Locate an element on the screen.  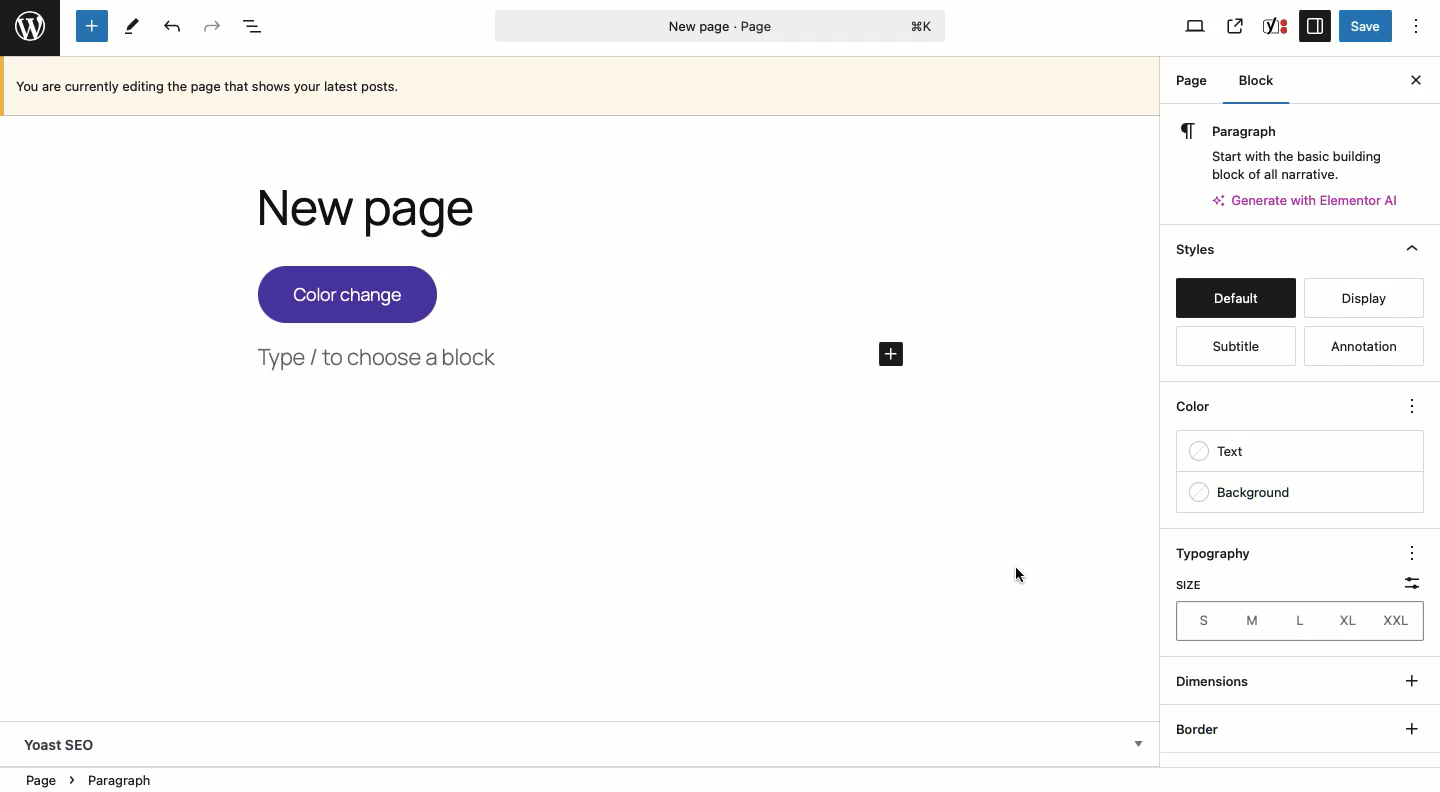
Wordpress logo is located at coordinates (30, 26).